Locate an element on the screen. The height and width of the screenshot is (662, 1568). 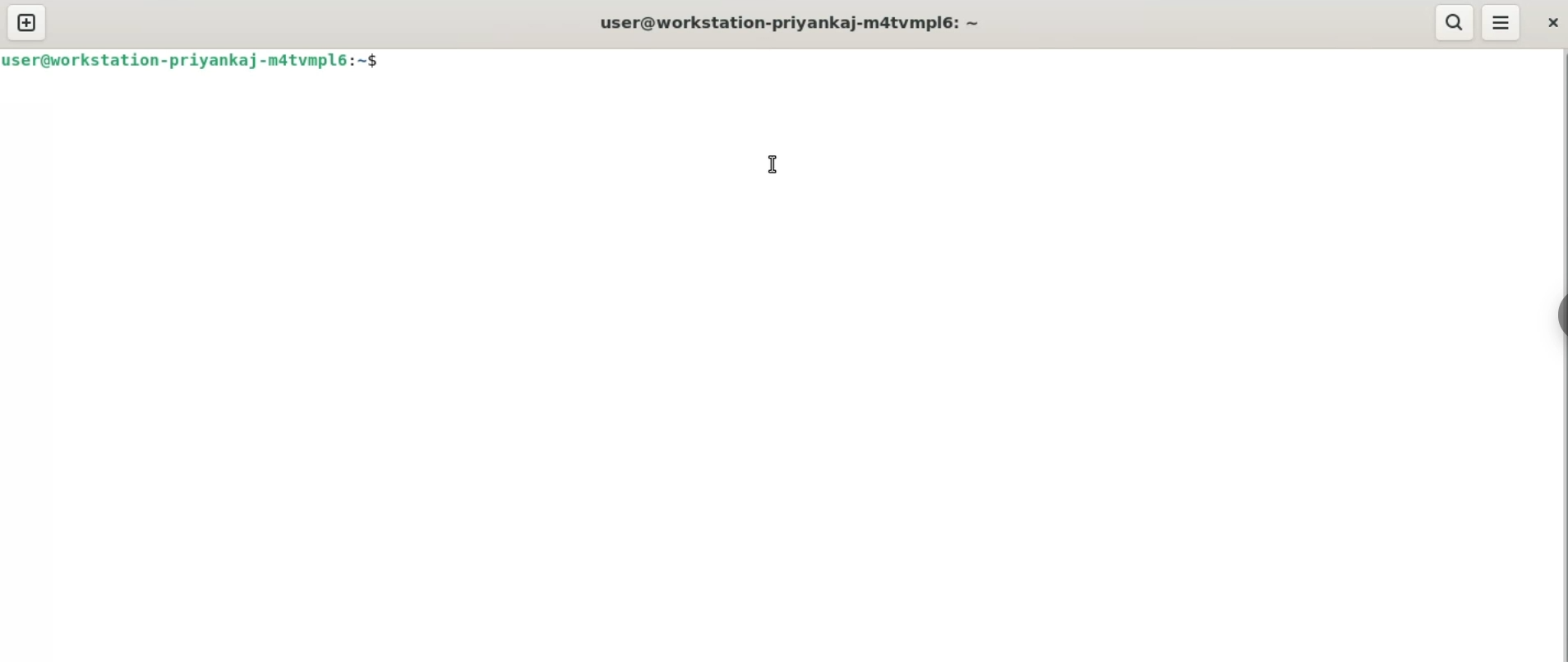
new tab is located at coordinates (26, 24).